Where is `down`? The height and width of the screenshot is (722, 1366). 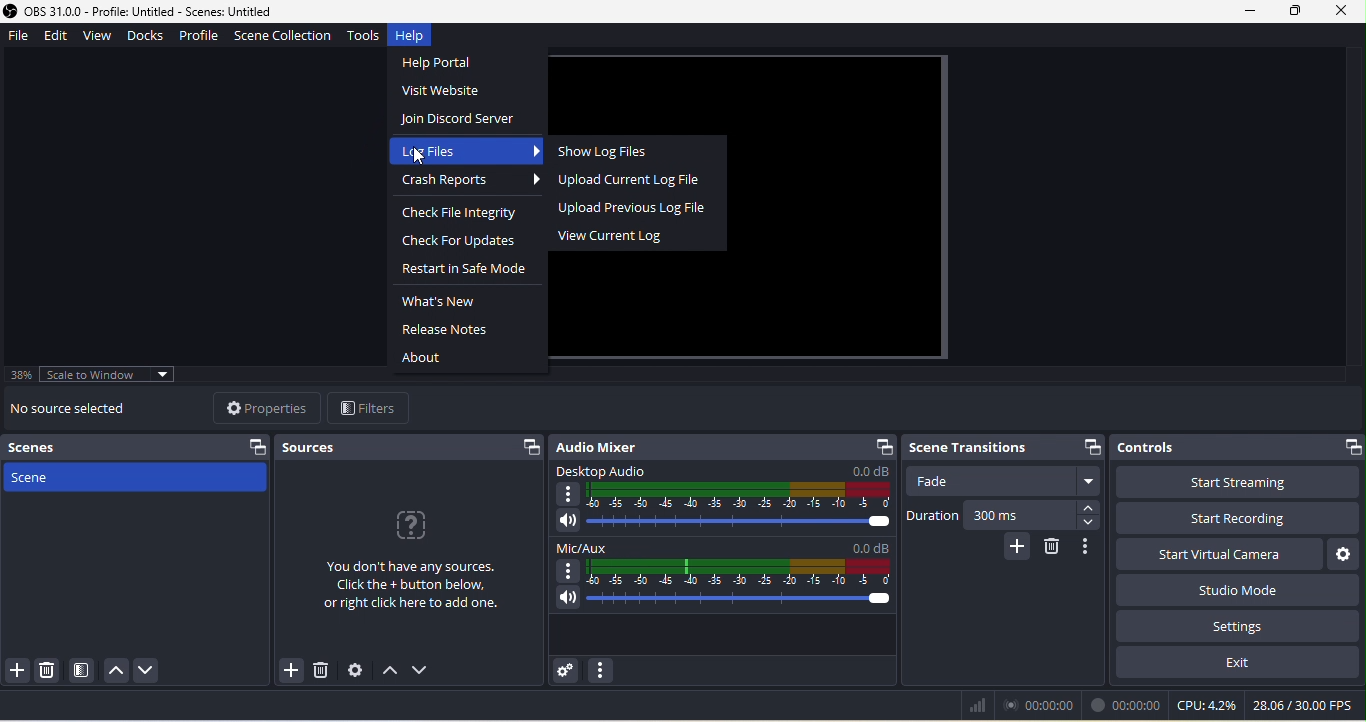
down is located at coordinates (151, 669).